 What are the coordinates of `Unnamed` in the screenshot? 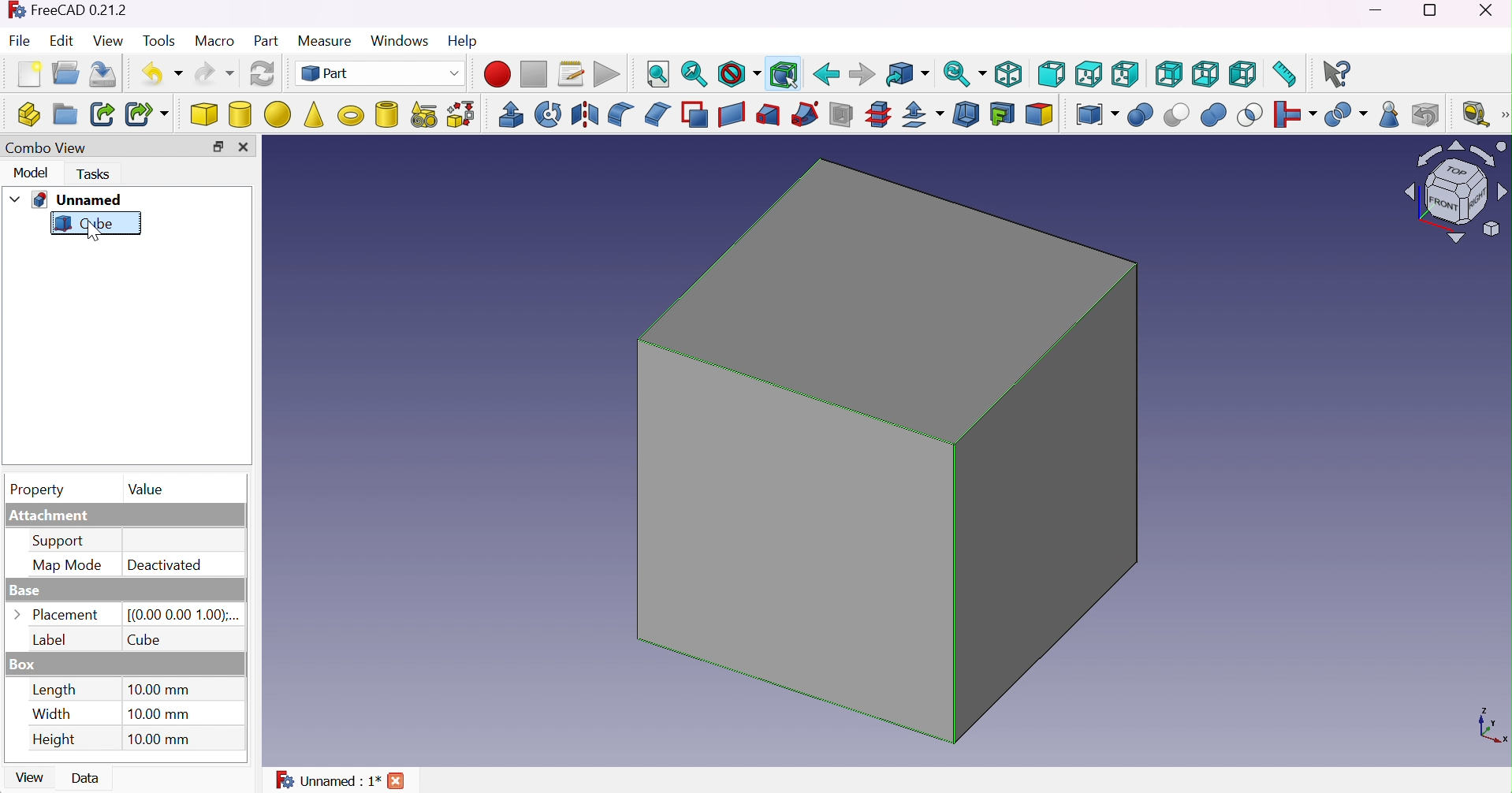 It's located at (79, 200).